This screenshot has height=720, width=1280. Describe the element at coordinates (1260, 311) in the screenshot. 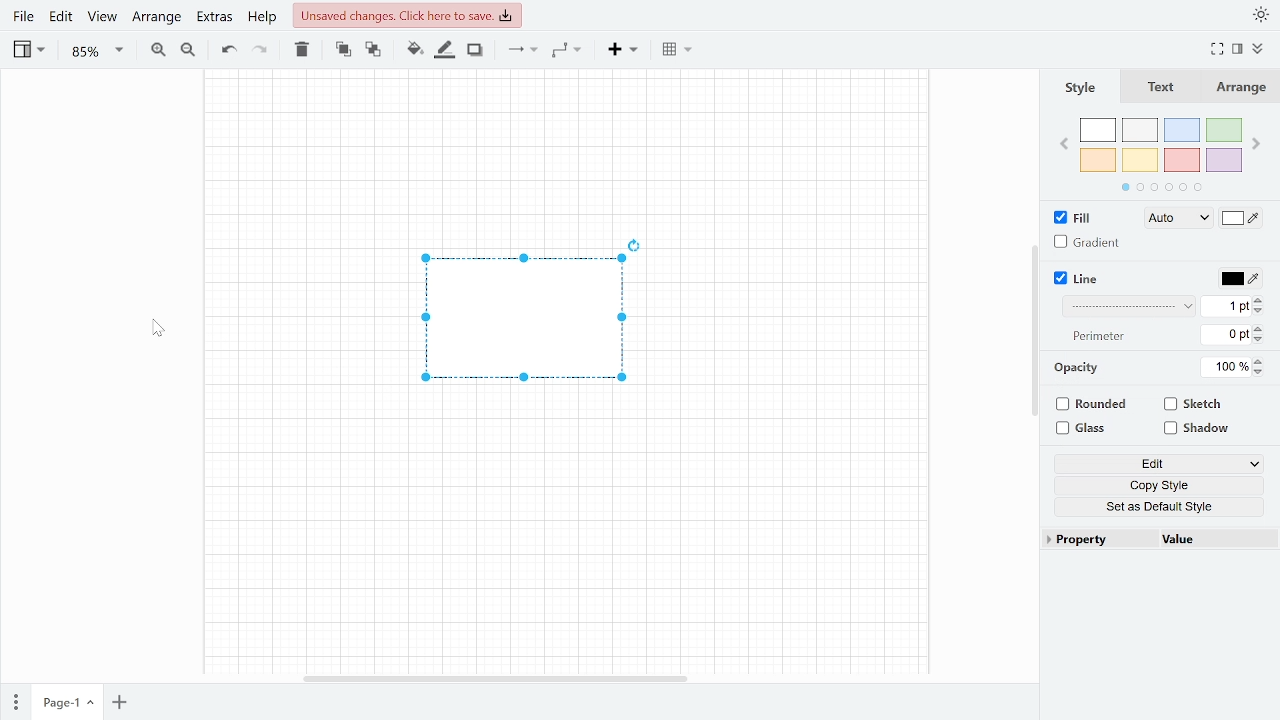

I see `Decrease linewidth` at that location.